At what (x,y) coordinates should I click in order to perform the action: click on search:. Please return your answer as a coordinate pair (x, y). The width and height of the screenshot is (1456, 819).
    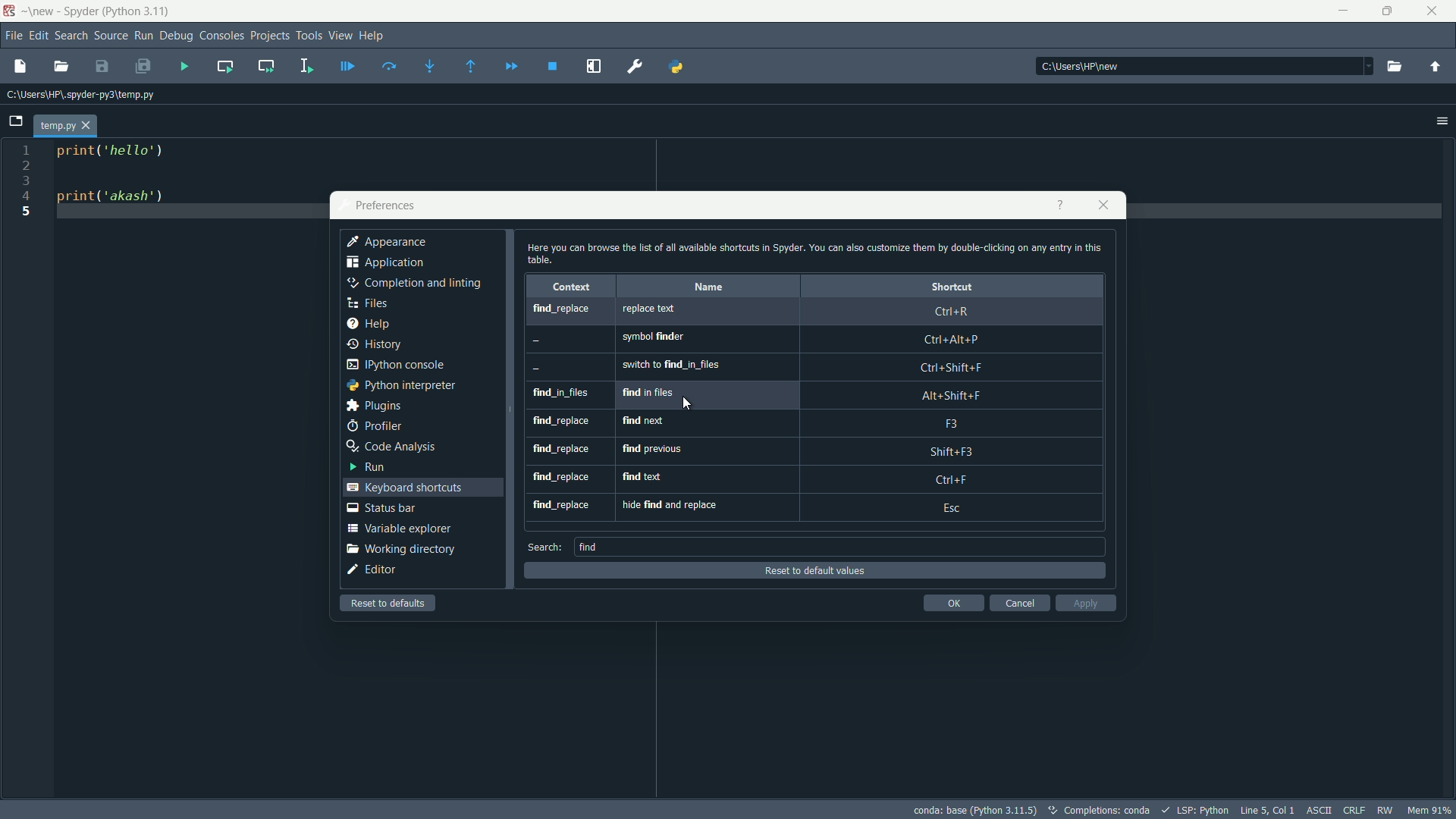
    Looking at the image, I should click on (542, 547).